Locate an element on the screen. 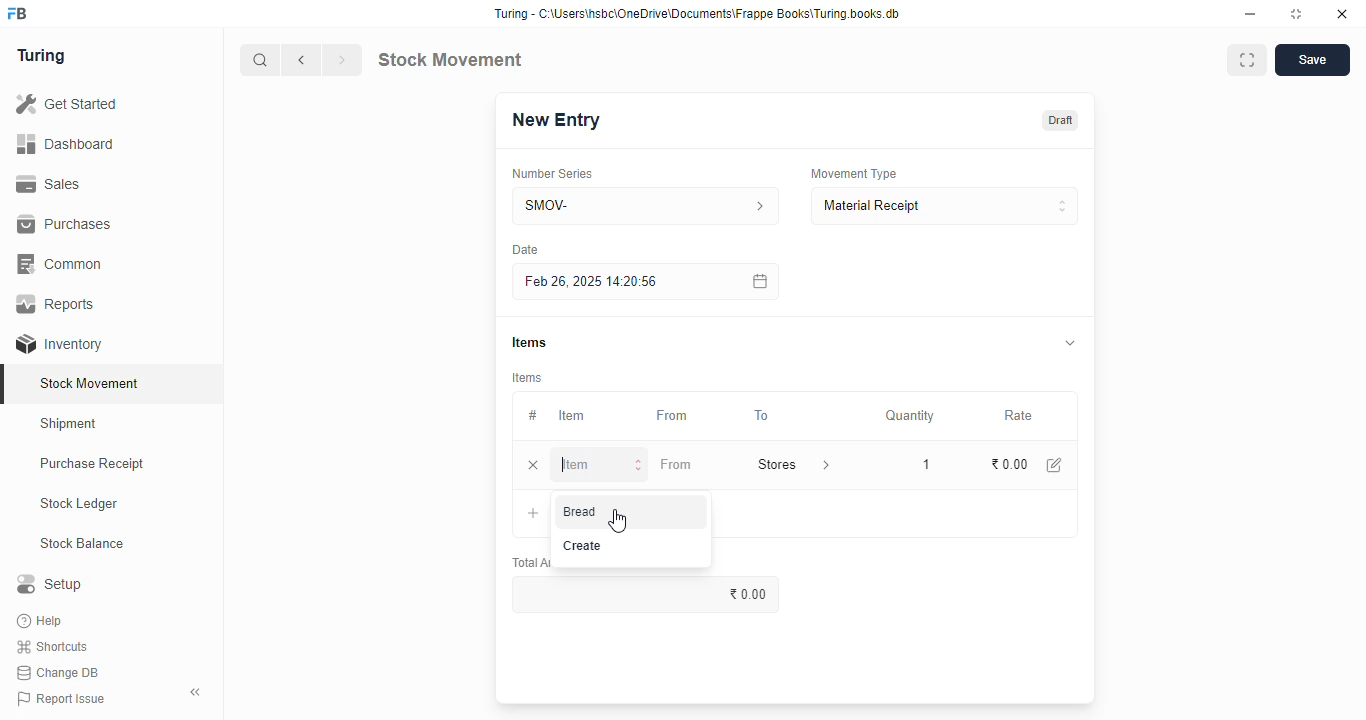 The image size is (1366, 720). toggle between form and full width is located at coordinates (1247, 60).